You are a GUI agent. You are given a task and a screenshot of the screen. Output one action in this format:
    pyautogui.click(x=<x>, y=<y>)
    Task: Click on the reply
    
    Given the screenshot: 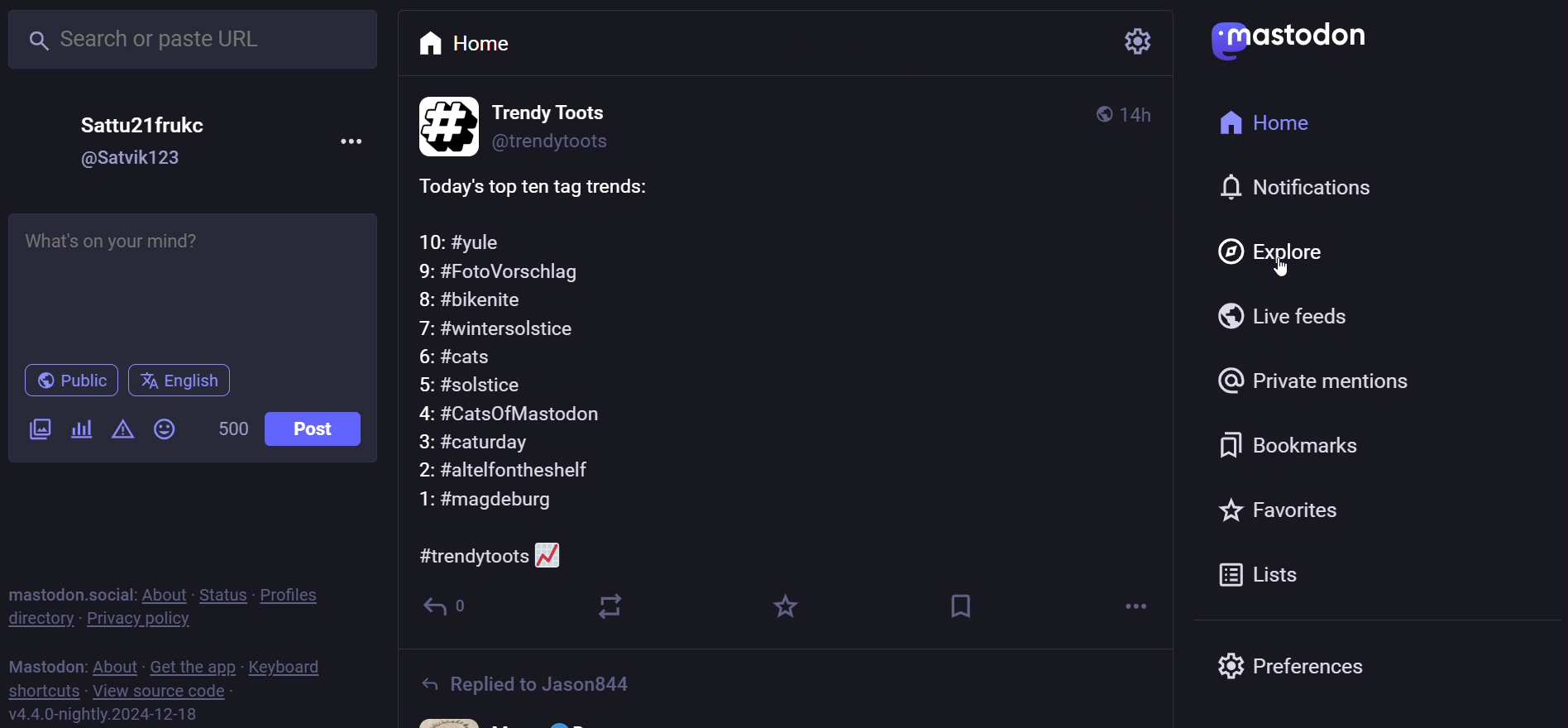 What is the action you would take?
    pyautogui.click(x=456, y=611)
    